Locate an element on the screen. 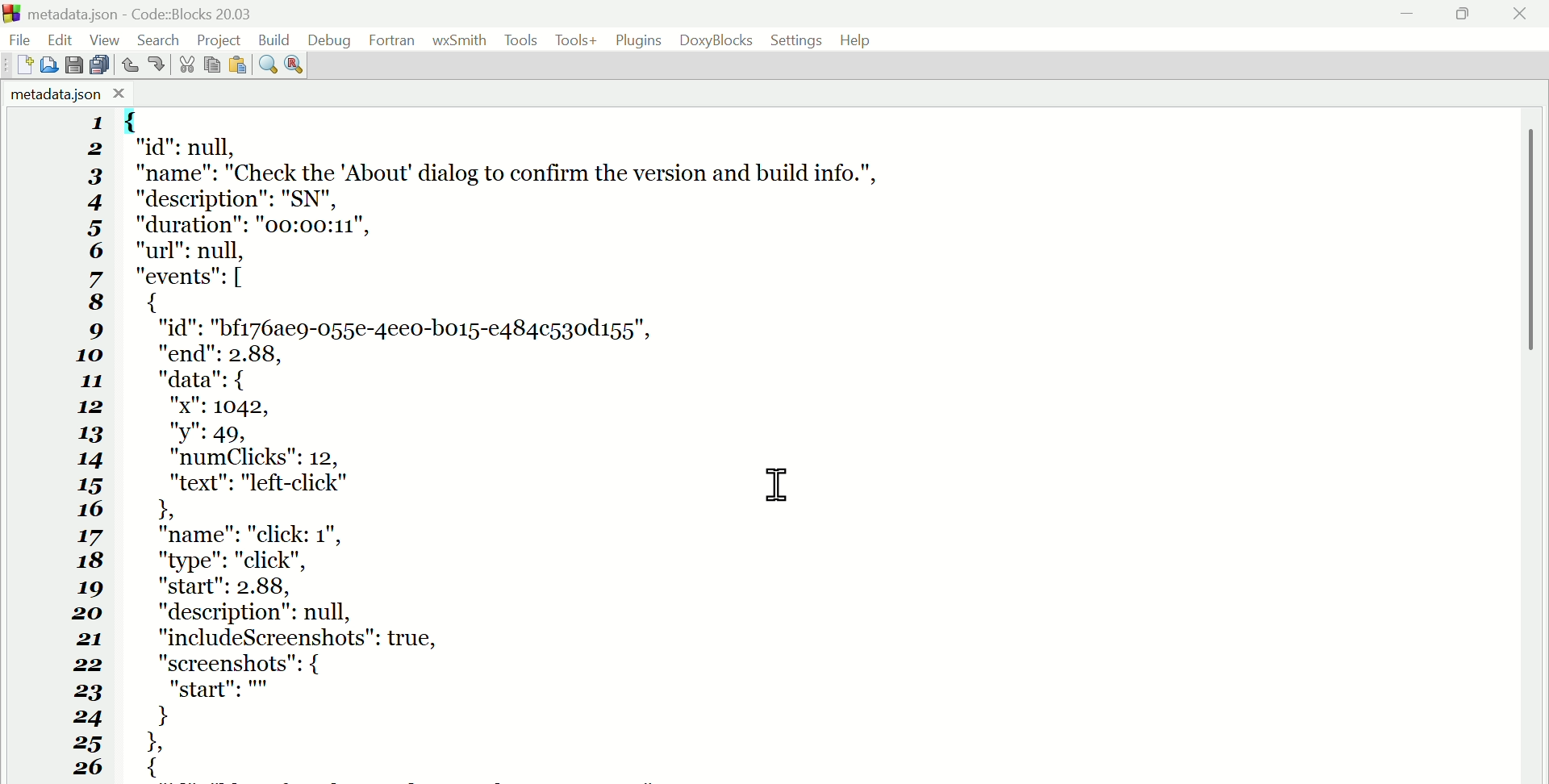 This screenshot has width=1549, height=784. Metadata.Json code blocks 20.03 is located at coordinates (136, 14).